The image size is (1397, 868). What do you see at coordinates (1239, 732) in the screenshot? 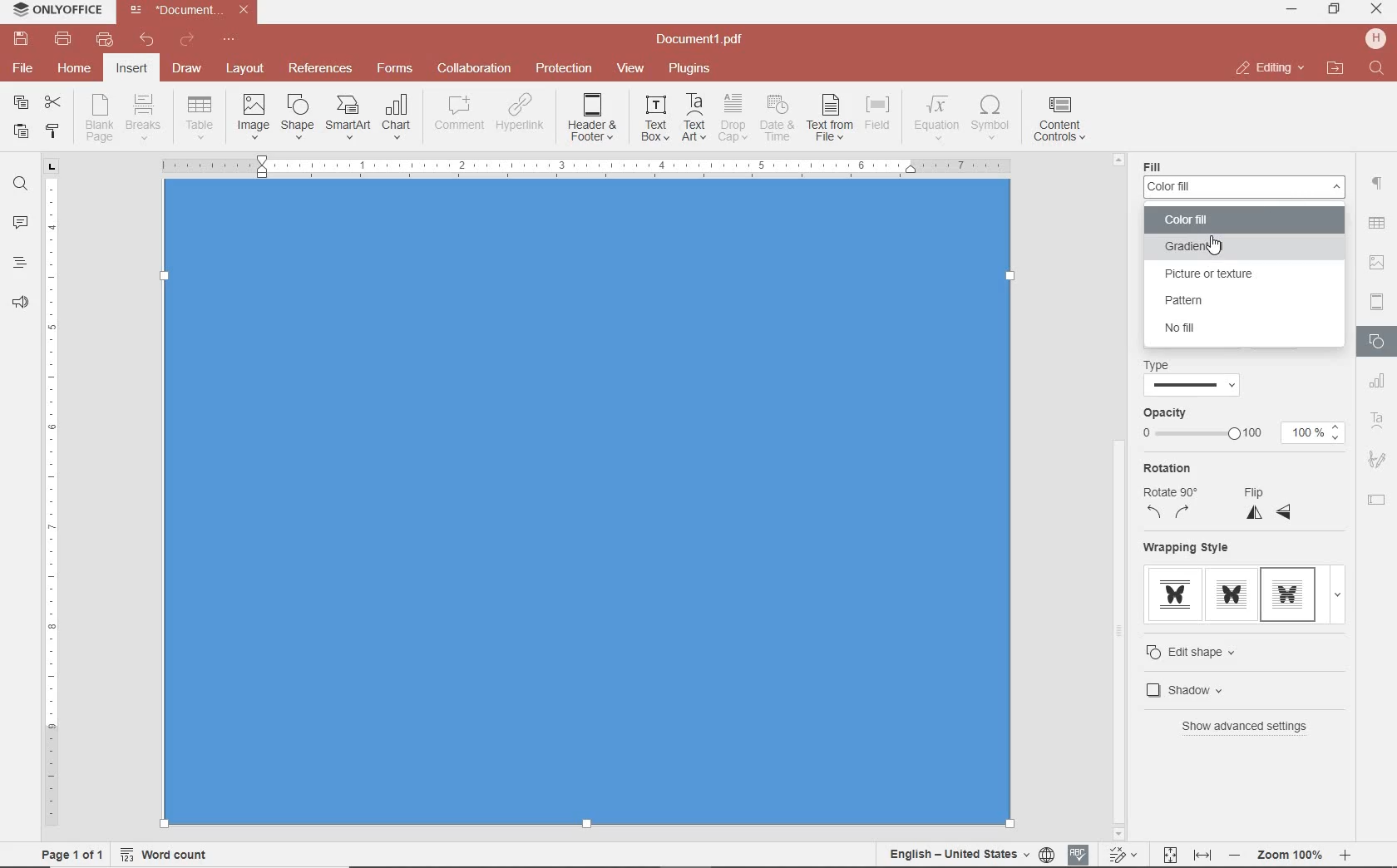
I see `BEHIND TEXT` at bounding box center [1239, 732].